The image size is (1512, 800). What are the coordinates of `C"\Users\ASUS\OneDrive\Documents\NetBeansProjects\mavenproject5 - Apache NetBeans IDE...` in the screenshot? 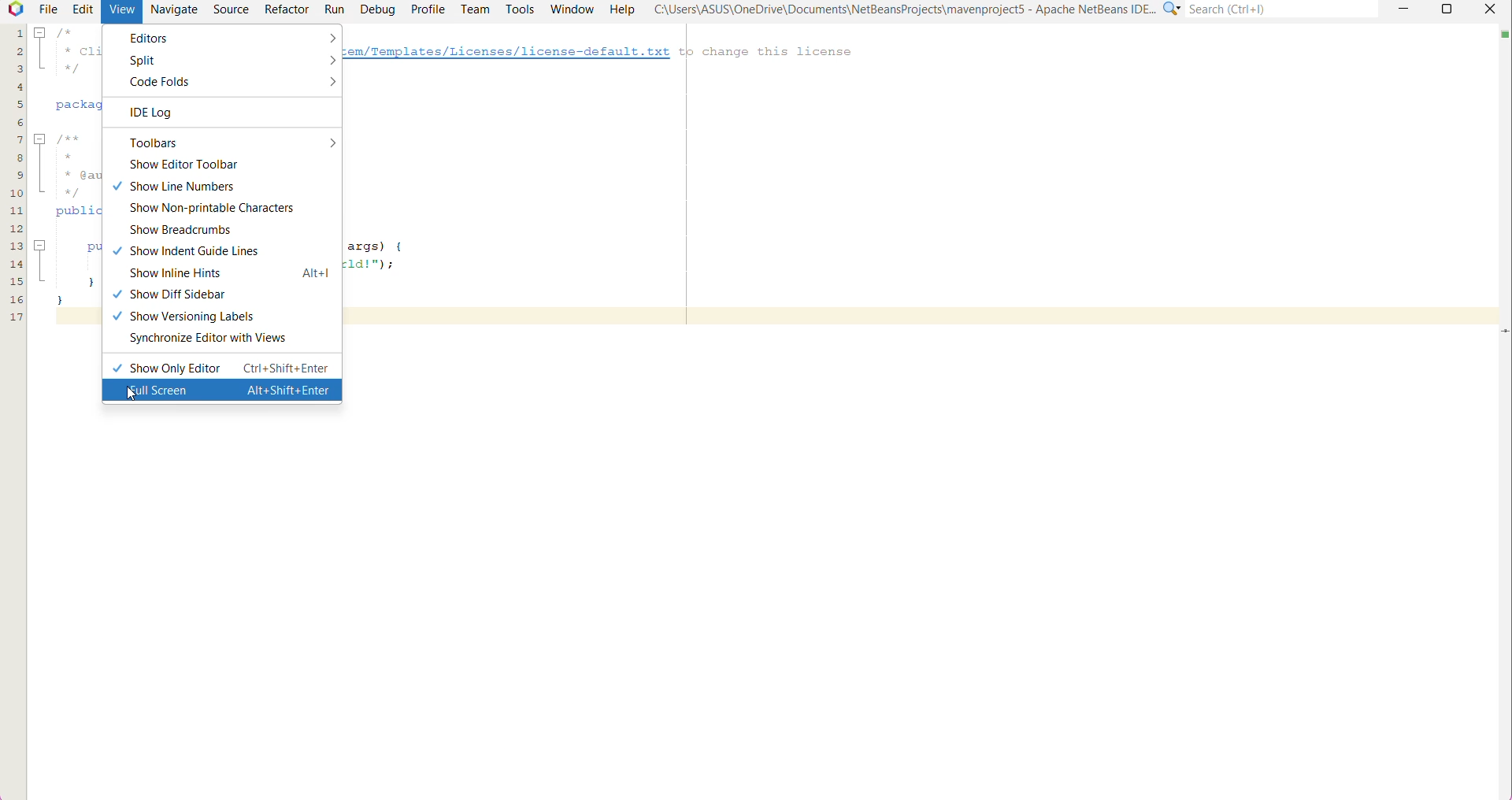 It's located at (900, 10).